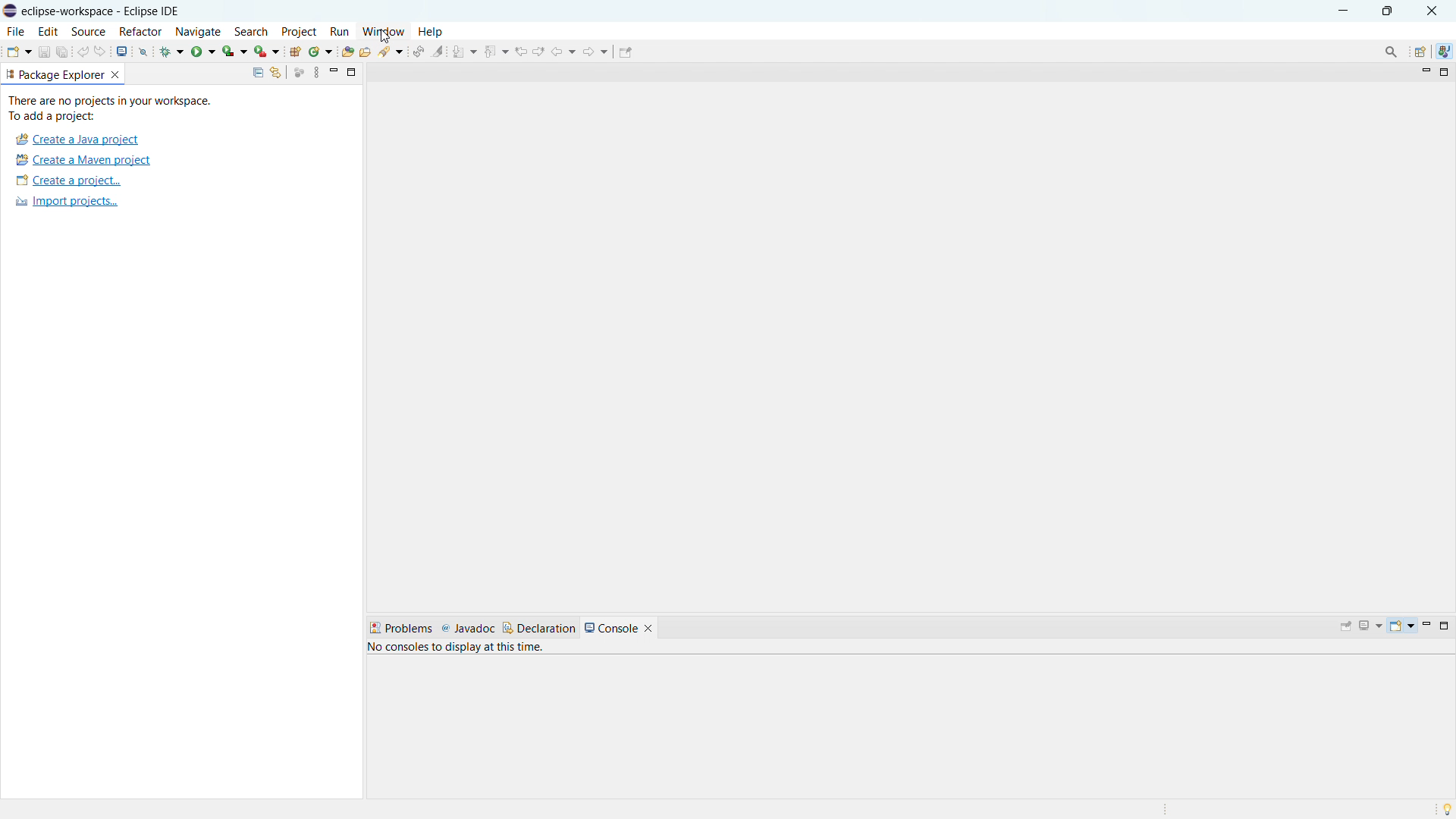  What do you see at coordinates (420, 51) in the screenshot?
I see `toggle ant editor auto reconcile` at bounding box center [420, 51].